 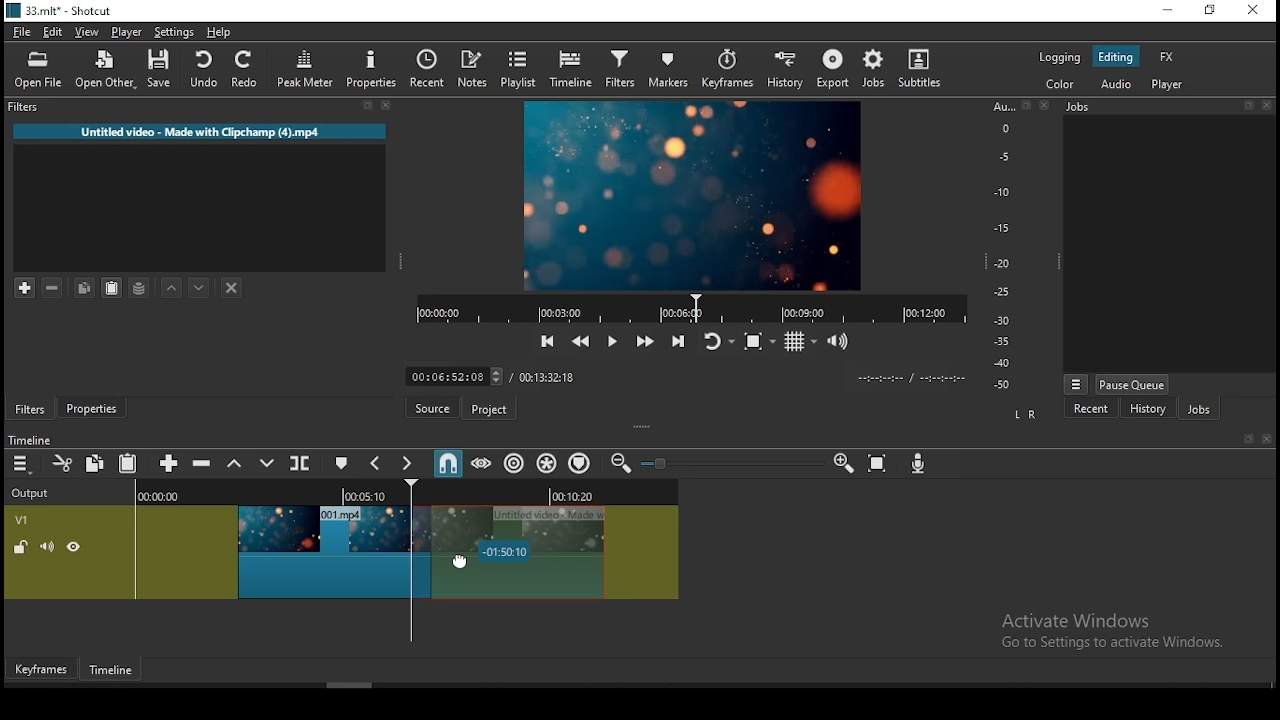 I want to click on filters, so click(x=616, y=70).